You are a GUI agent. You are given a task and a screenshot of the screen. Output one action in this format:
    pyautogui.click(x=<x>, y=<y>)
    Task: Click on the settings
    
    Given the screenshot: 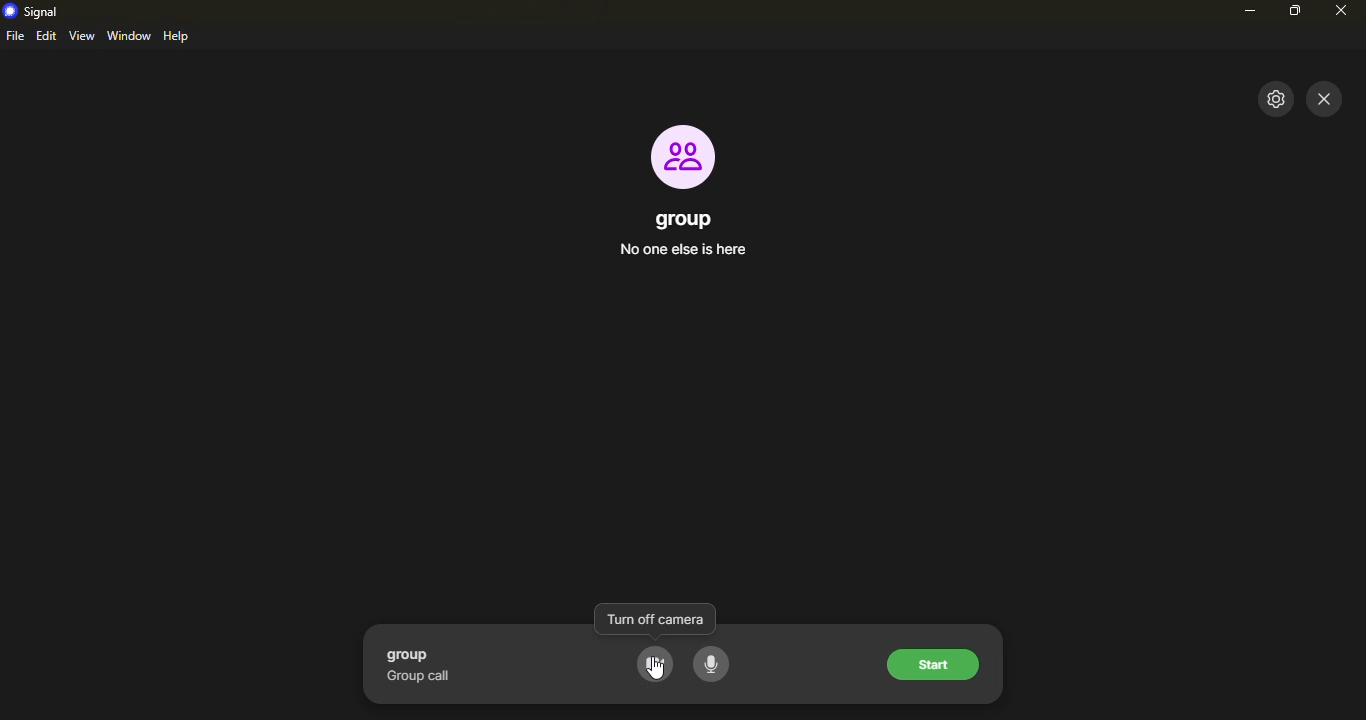 What is the action you would take?
    pyautogui.click(x=1273, y=100)
    